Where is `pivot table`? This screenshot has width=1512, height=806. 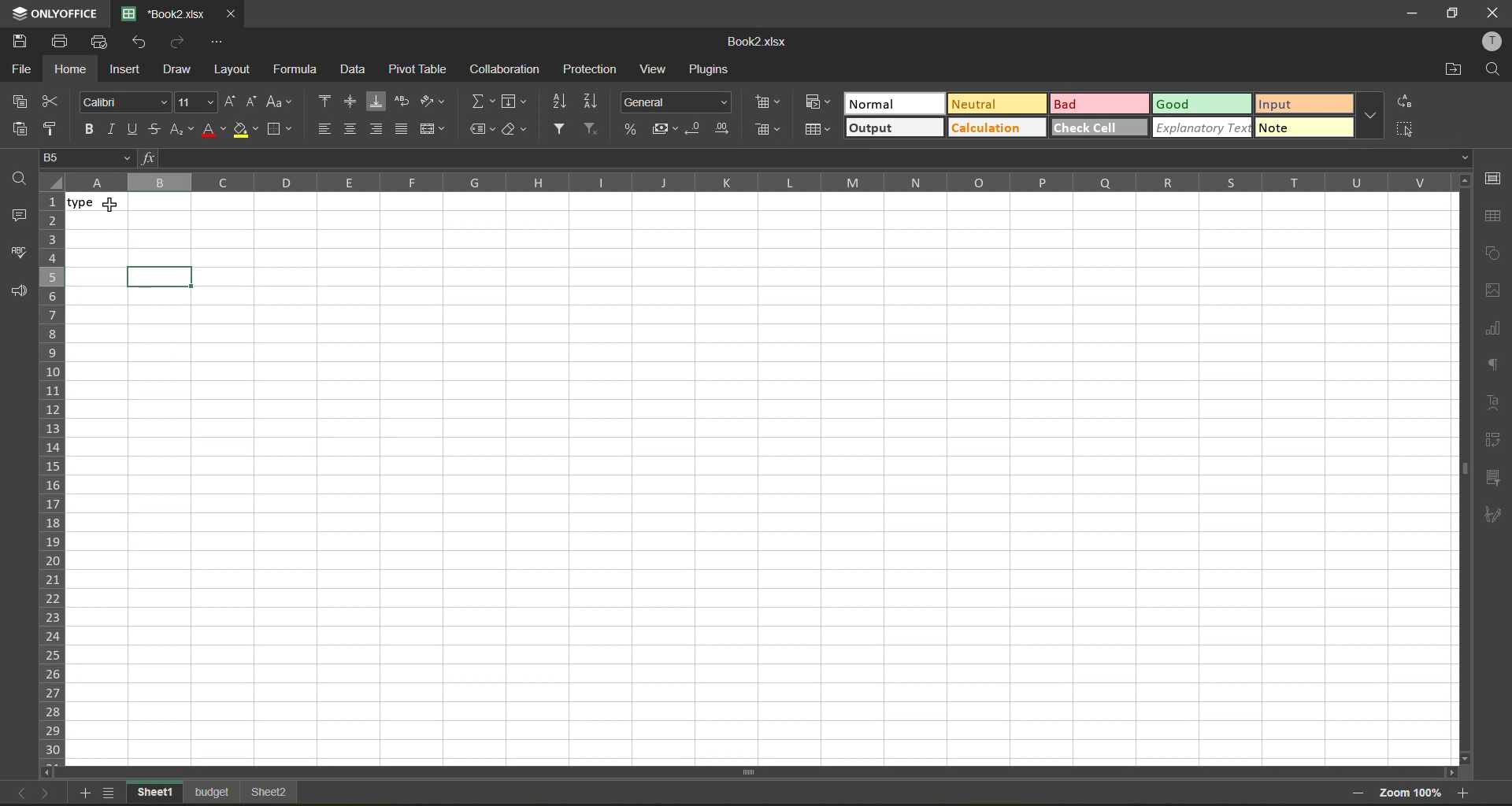
pivot table is located at coordinates (1495, 442).